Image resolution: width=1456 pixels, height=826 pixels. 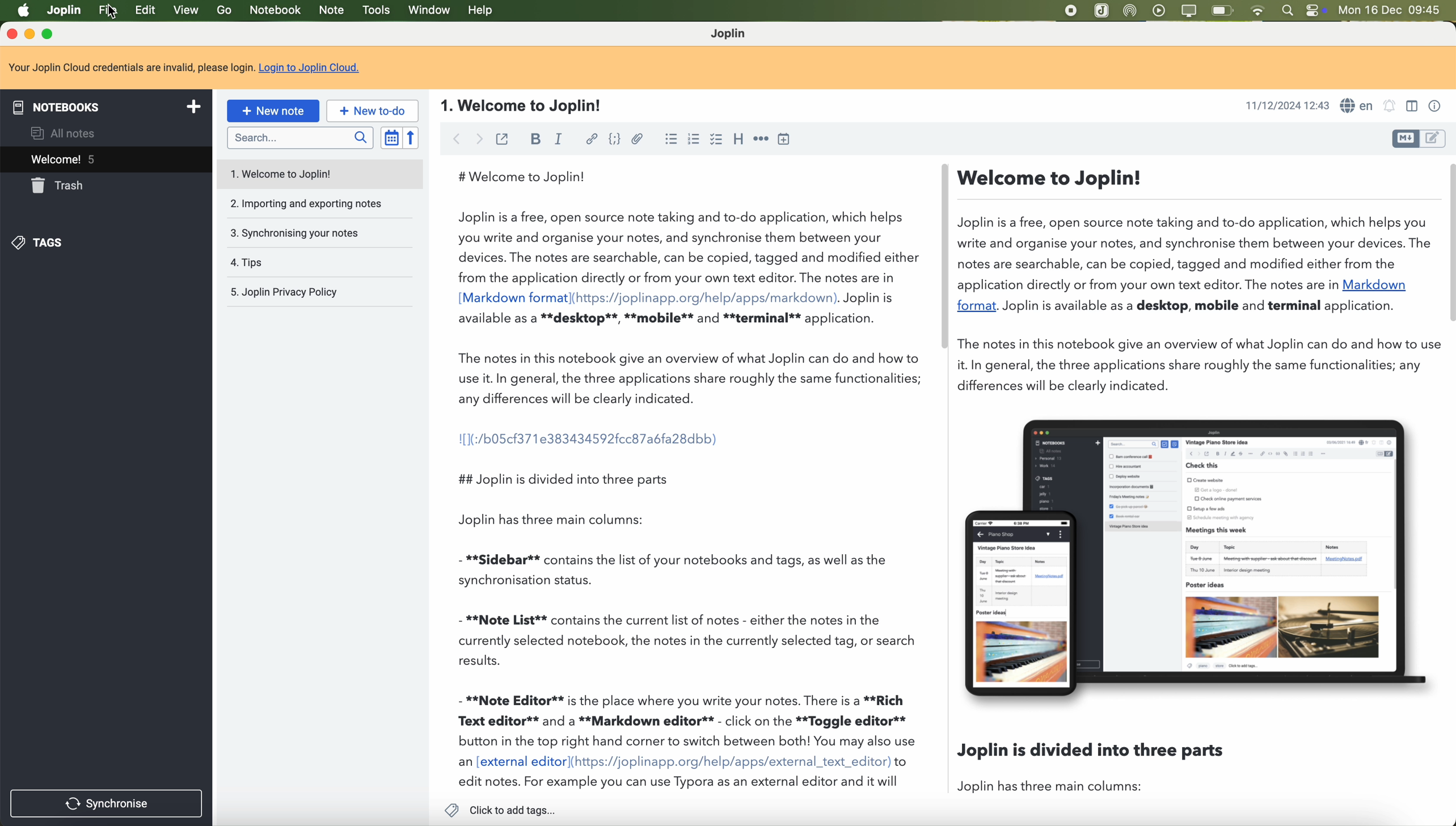 What do you see at coordinates (761, 138) in the screenshot?
I see `horizontal rule` at bounding box center [761, 138].